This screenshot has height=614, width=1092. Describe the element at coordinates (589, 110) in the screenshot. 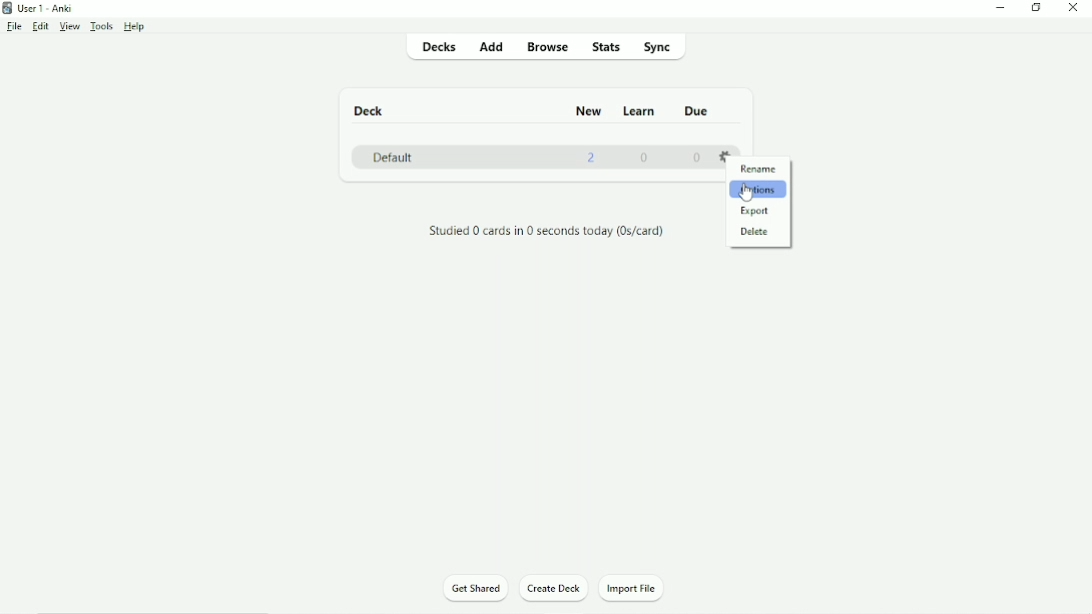

I see `New` at that location.